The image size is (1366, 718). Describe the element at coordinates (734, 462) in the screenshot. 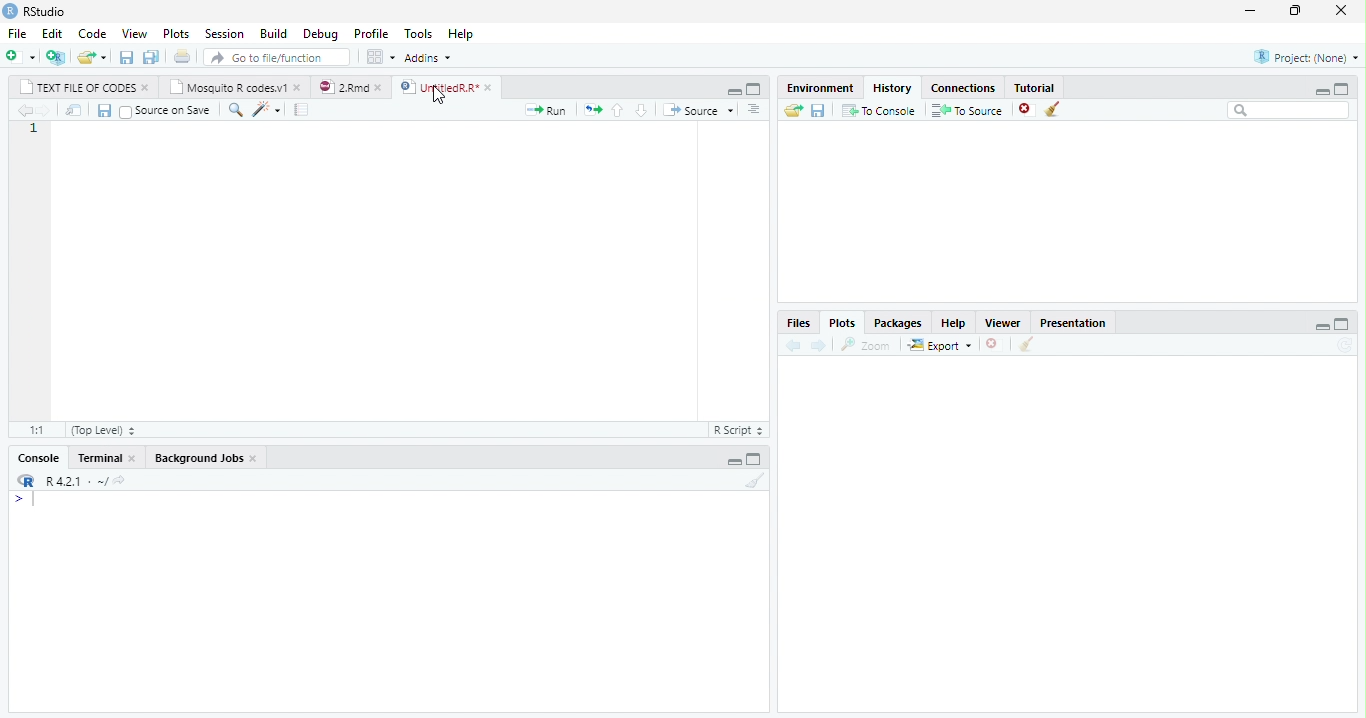

I see `minimize` at that location.